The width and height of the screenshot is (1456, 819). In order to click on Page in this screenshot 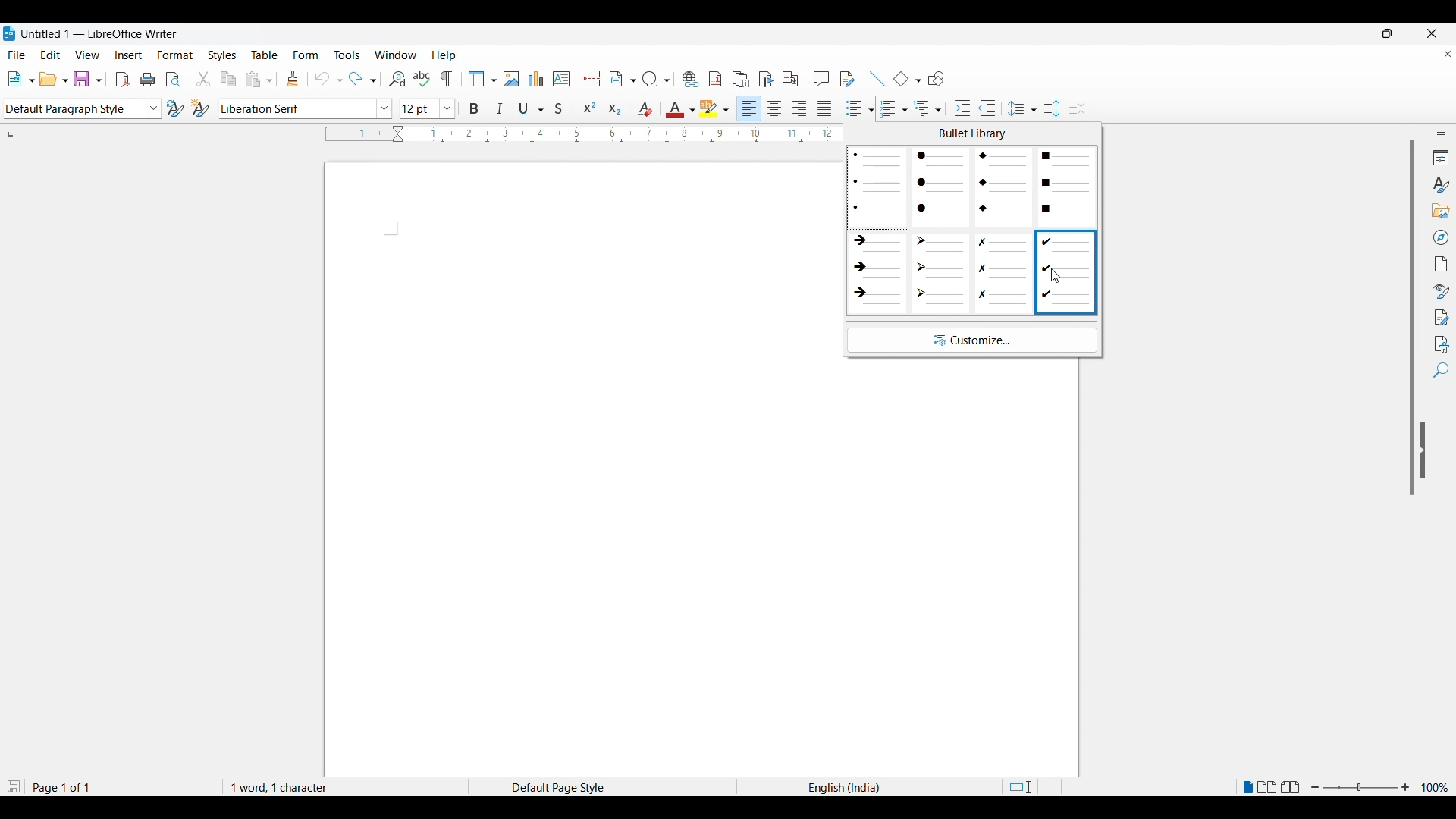, I will do `click(1440, 262)`.